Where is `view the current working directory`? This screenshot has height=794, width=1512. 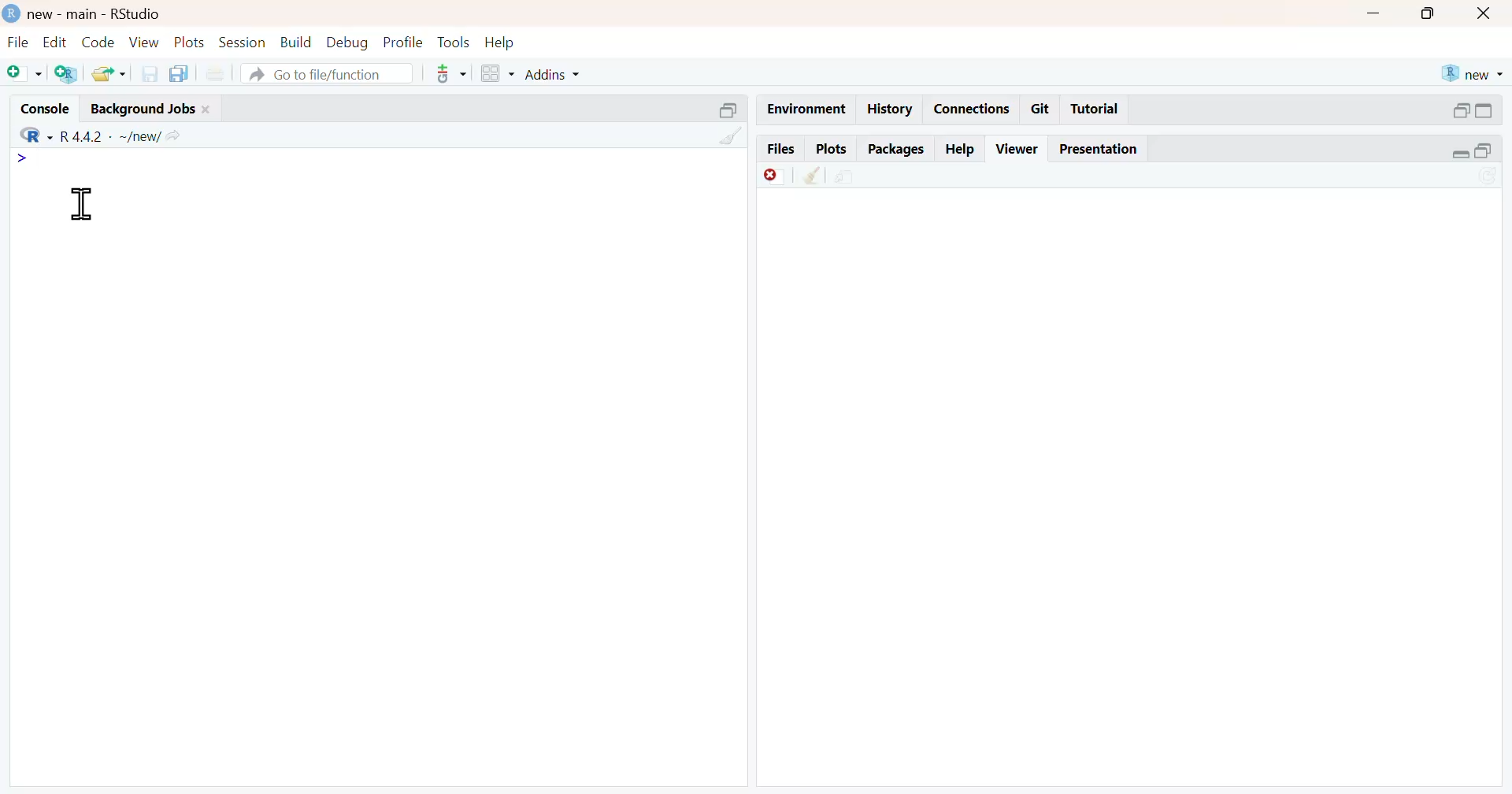 view the current working directory is located at coordinates (174, 137).